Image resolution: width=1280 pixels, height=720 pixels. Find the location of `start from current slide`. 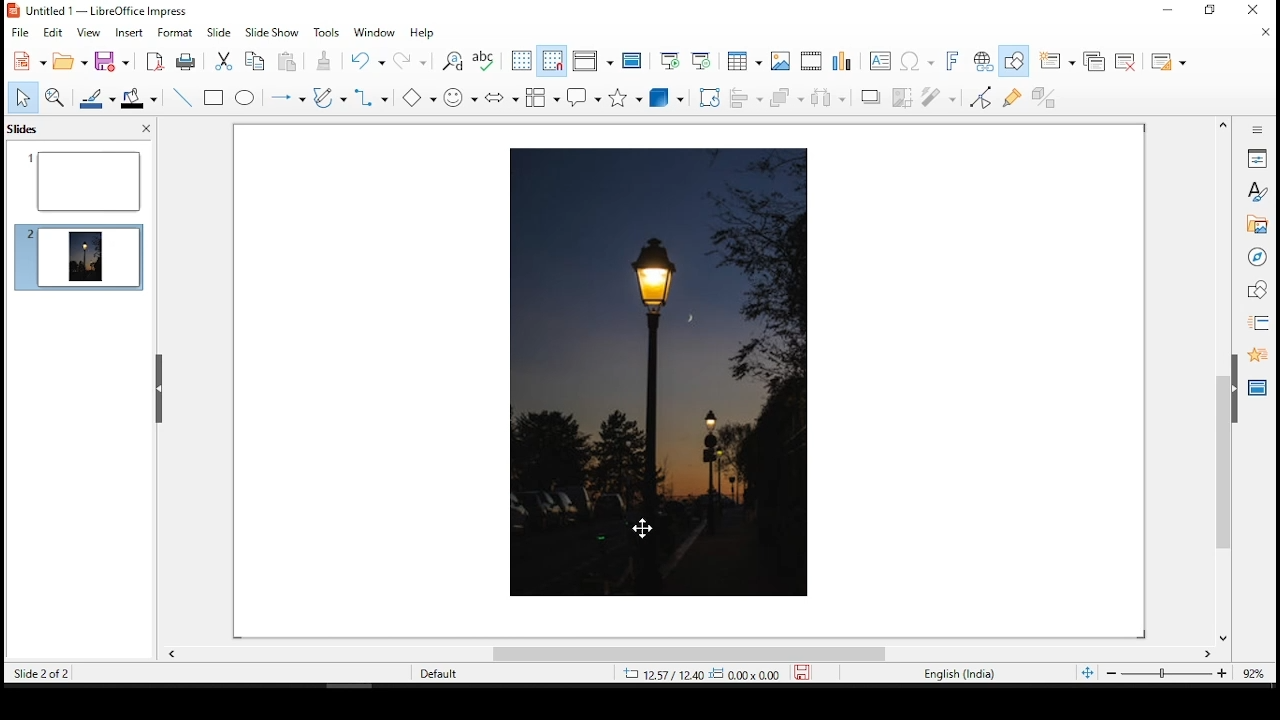

start from current slide is located at coordinates (703, 59).